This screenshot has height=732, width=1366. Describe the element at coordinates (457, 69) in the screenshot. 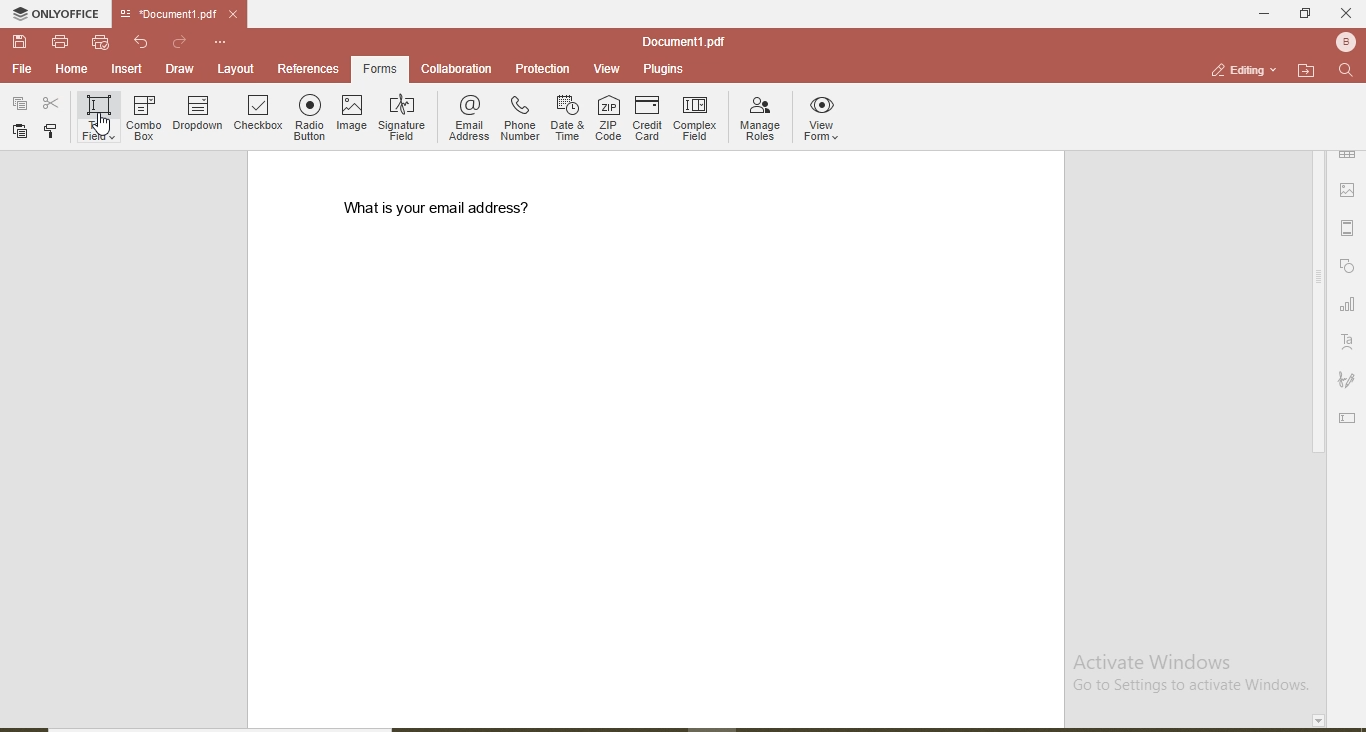

I see `collaboration` at that location.